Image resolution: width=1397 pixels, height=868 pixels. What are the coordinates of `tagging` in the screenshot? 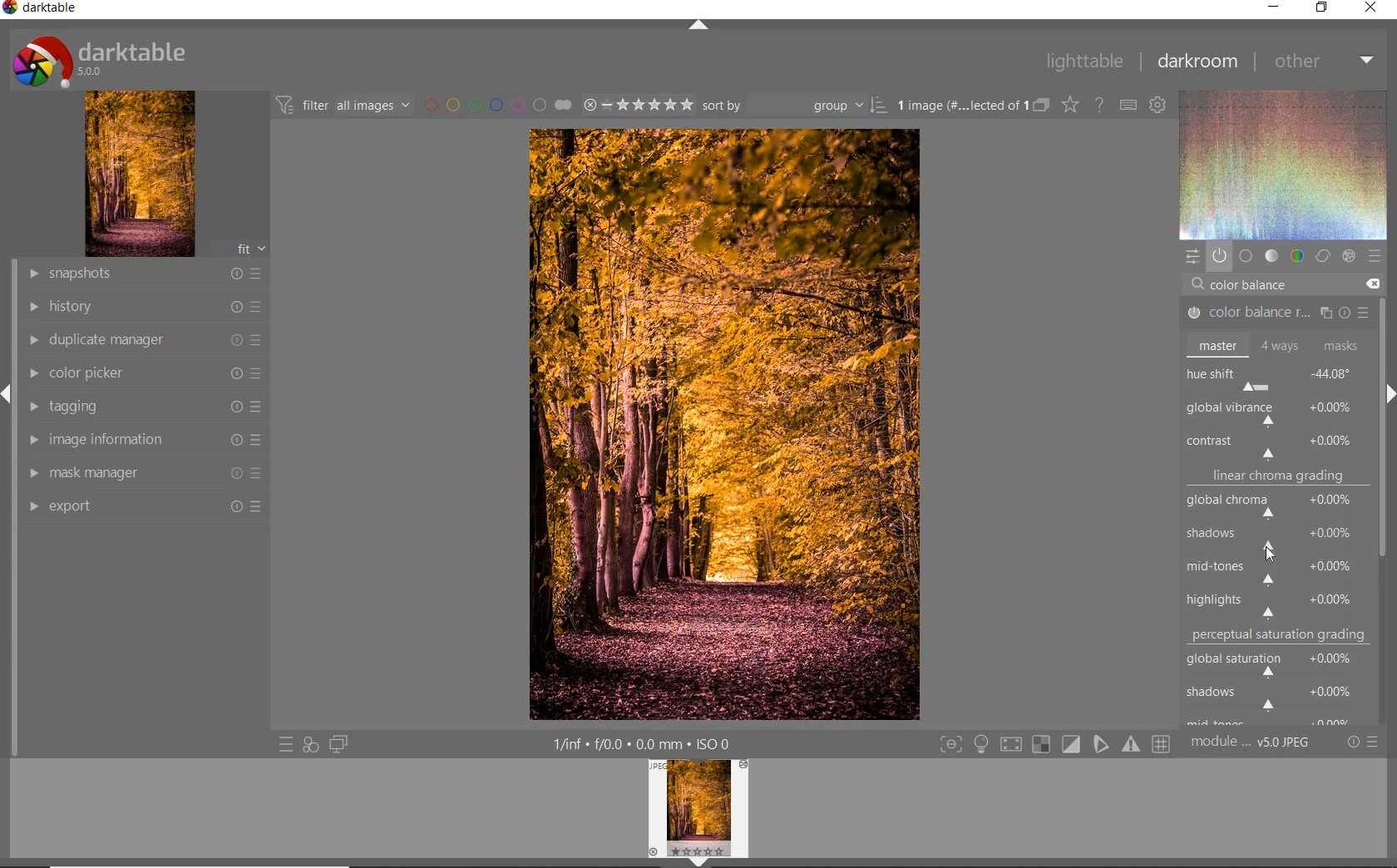 It's located at (143, 408).